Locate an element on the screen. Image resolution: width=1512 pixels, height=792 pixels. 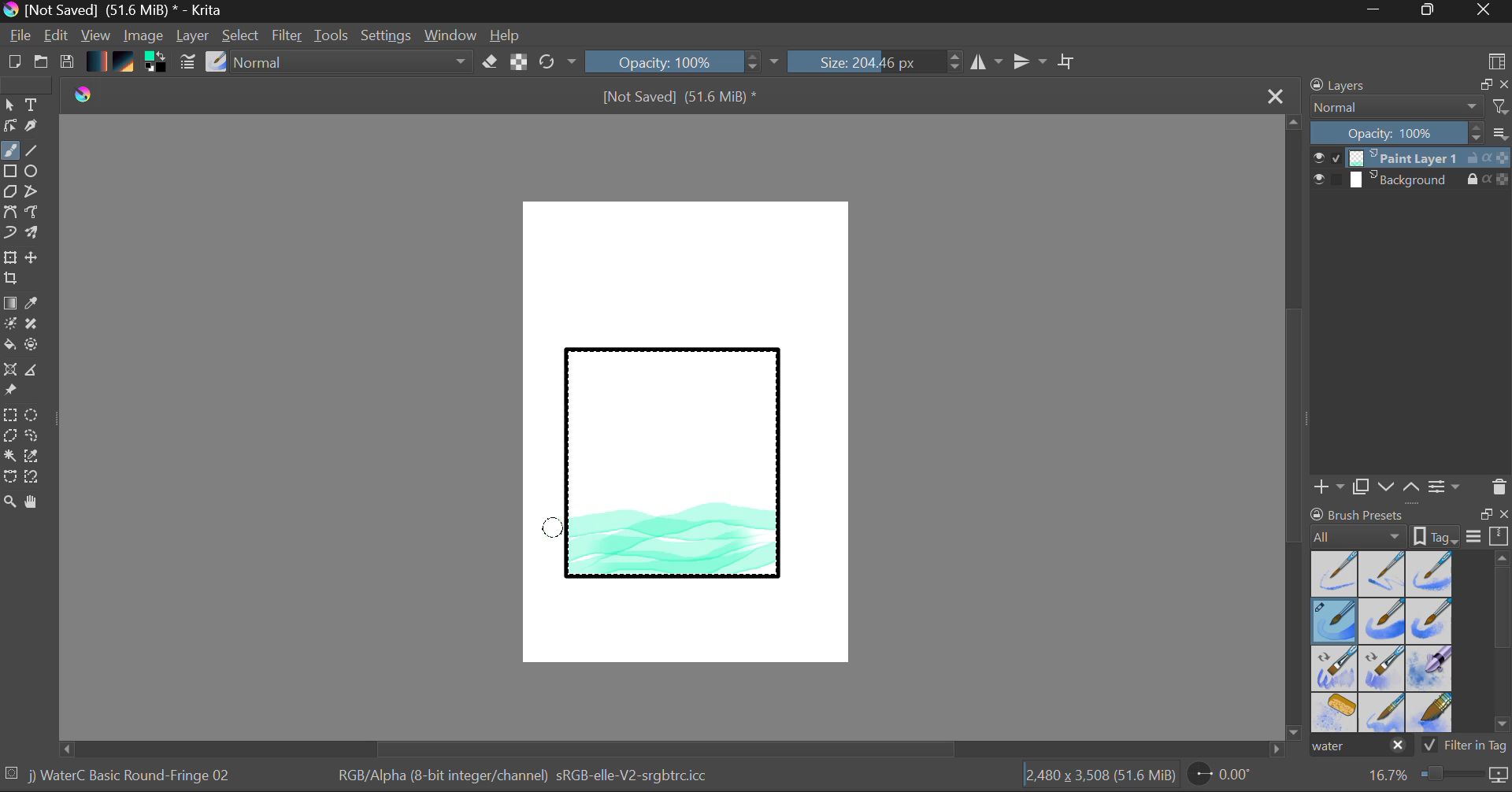
Color Information is located at coordinates (521, 777).